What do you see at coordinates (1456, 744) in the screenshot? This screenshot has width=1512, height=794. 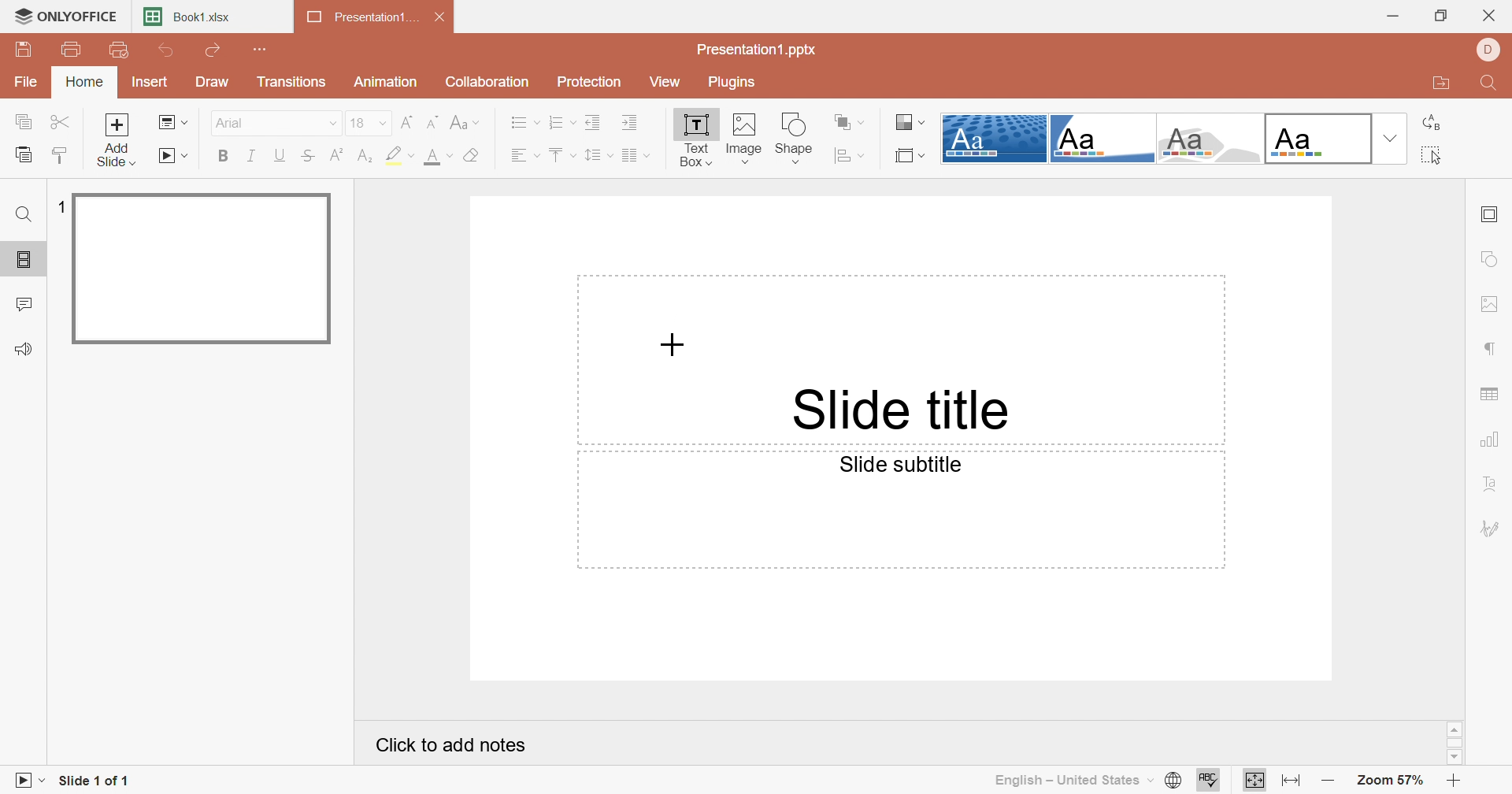 I see `Scroll bar` at bounding box center [1456, 744].